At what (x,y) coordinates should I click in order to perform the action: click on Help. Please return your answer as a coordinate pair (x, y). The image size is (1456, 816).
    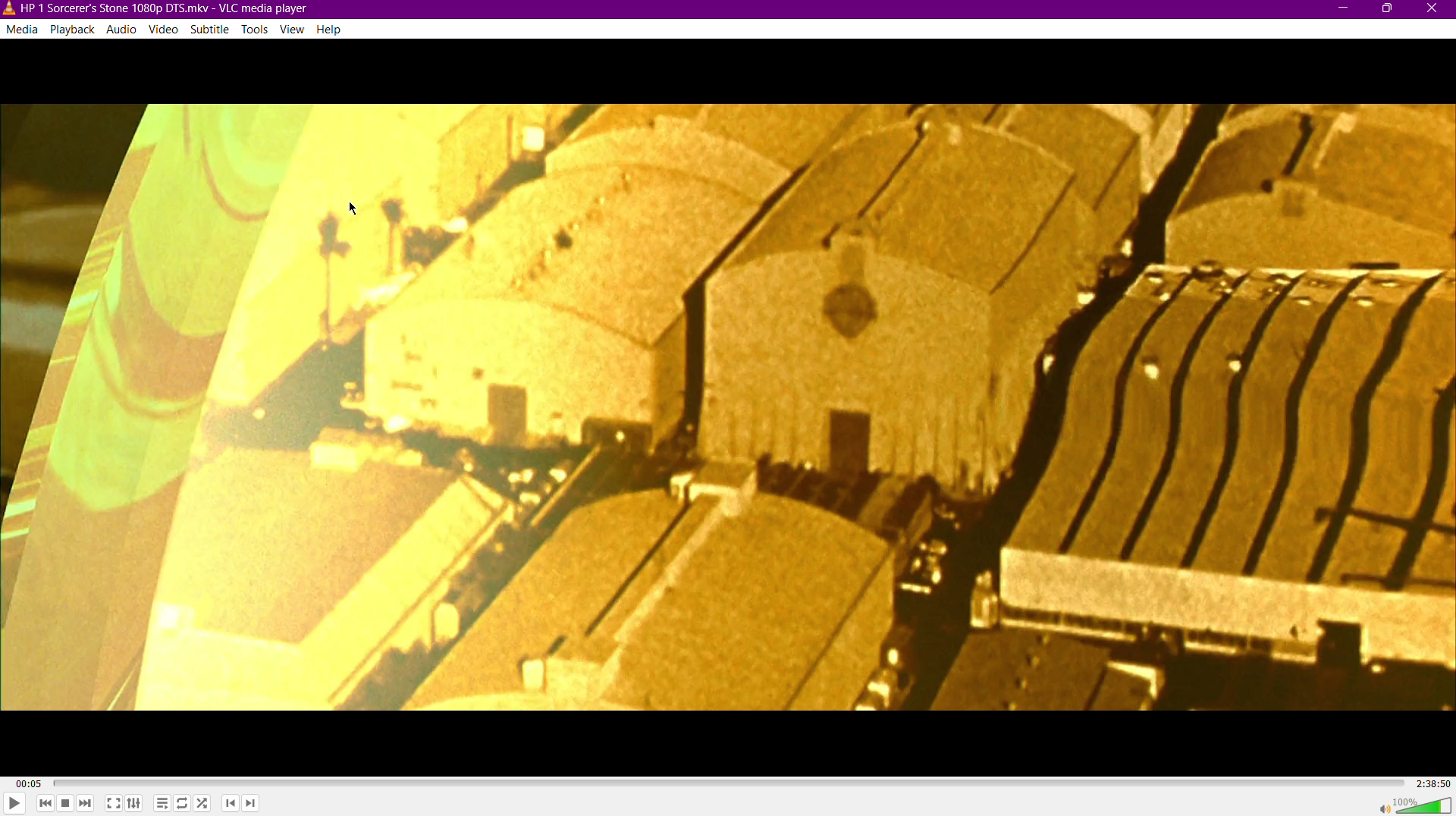
    Looking at the image, I should click on (330, 29).